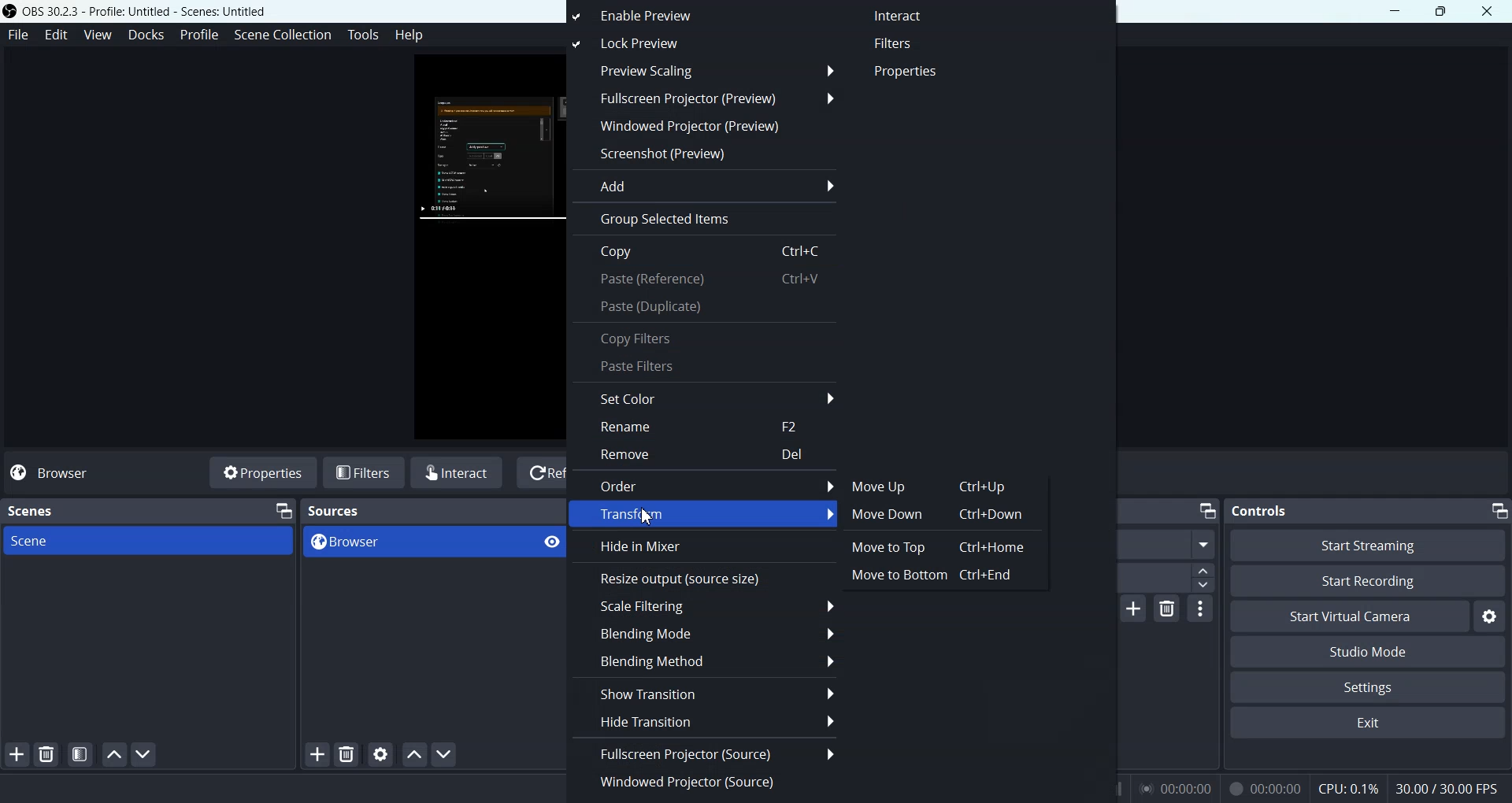 The height and width of the screenshot is (803, 1512). Describe the element at coordinates (706, 456) in the screenshot. I see `Remove` at that location.